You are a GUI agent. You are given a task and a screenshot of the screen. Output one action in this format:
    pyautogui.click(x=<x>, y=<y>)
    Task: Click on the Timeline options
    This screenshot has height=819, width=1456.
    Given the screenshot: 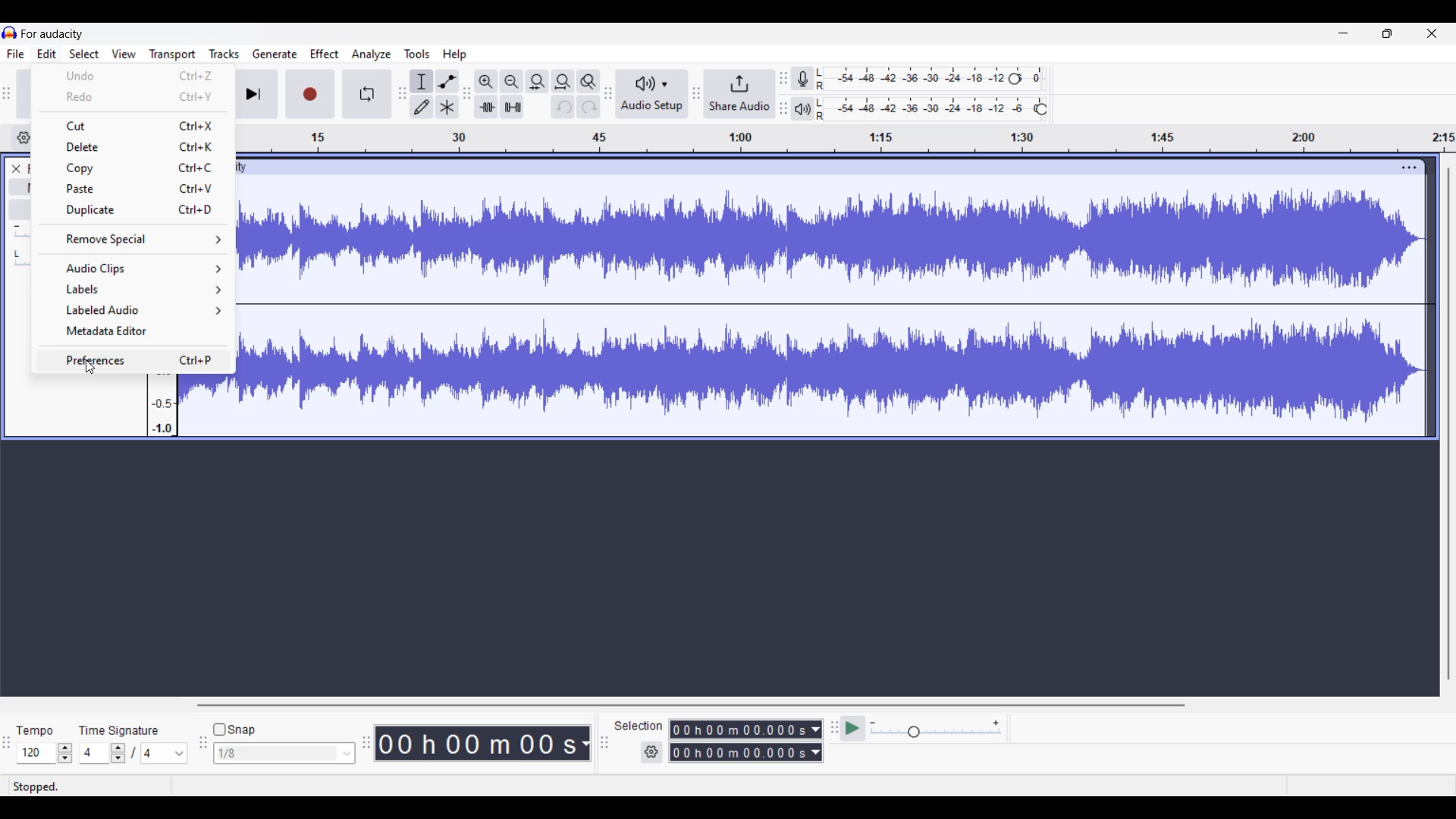 What is the action you would take?
    pyautogui.click(x=24, y=138)
    